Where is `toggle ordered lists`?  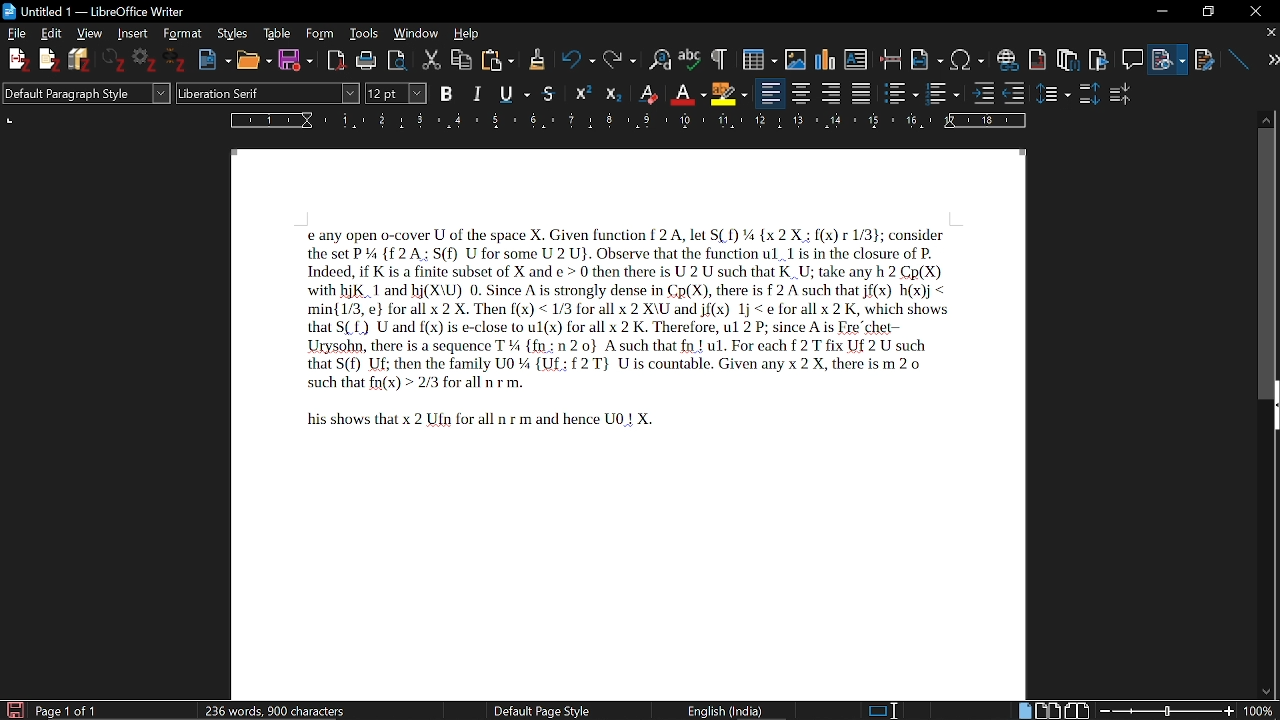 toggle ordered lists is located at coordinates (944, 92).